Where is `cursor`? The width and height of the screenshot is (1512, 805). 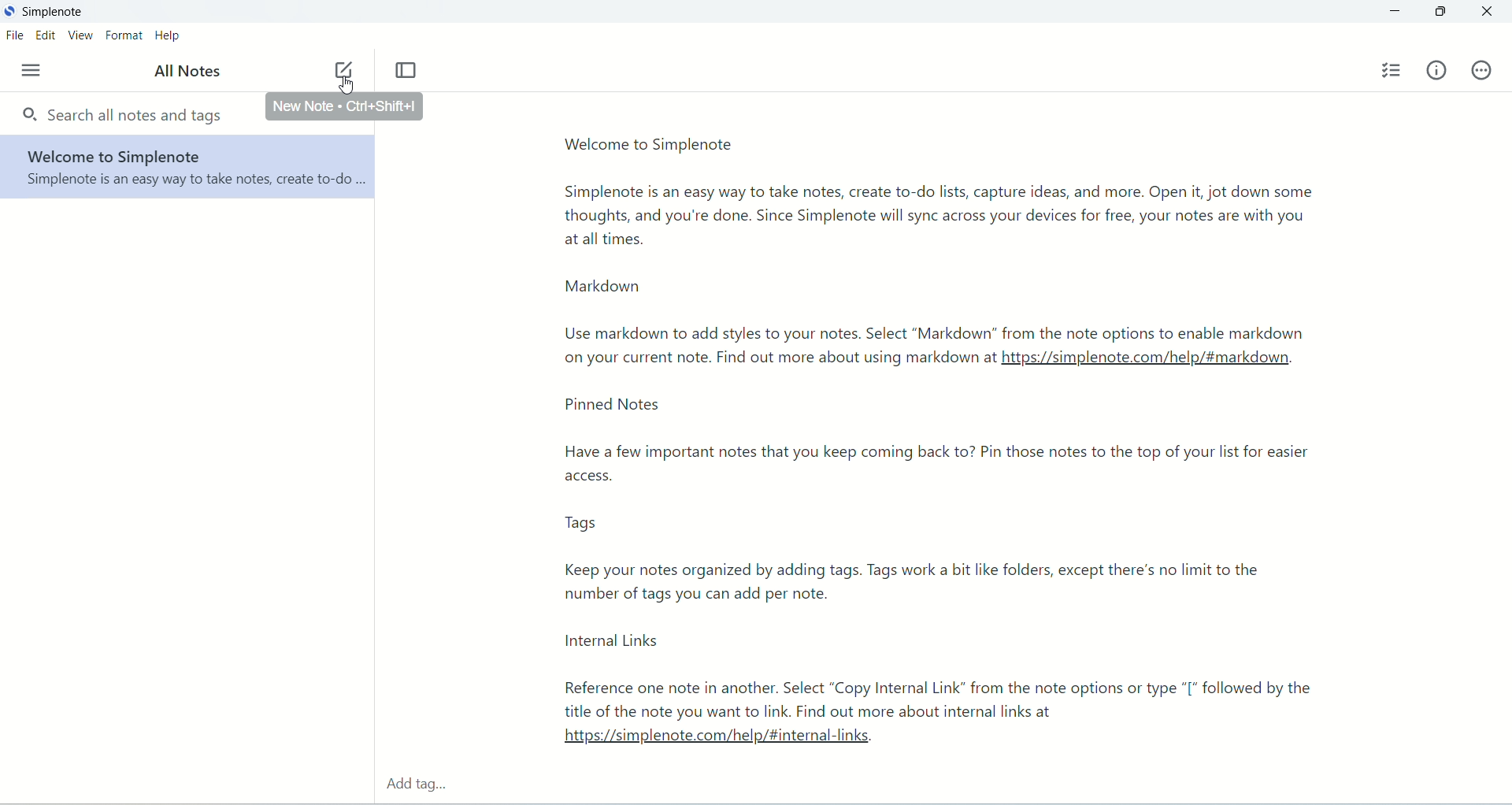 cursor is located at coordinates (349, 88).